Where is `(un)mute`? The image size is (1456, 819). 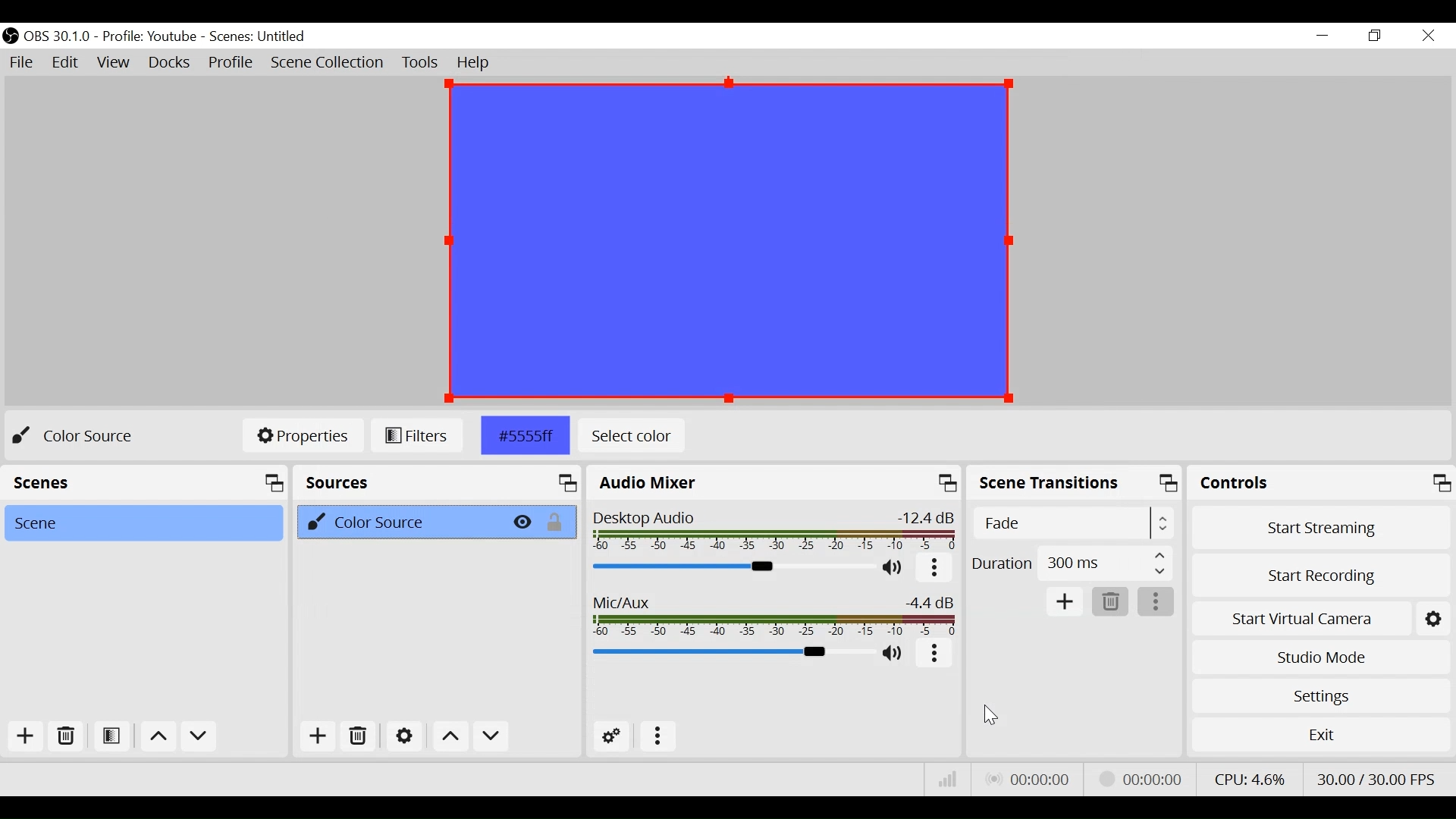 (un)mute is located at coordinates (895, 653).